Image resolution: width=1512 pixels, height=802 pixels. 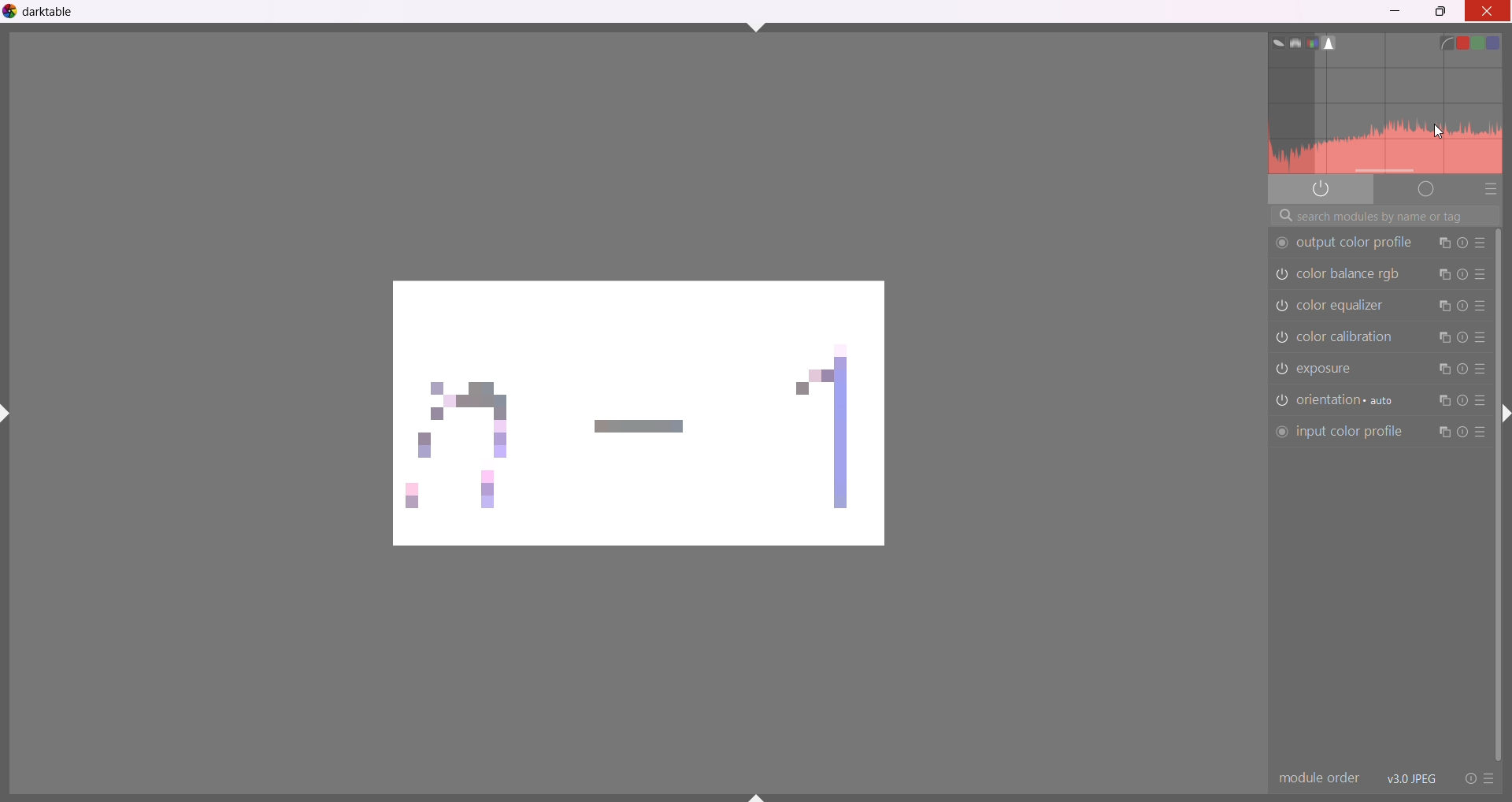 I want to click on linear, so click(x=1447, y=42).